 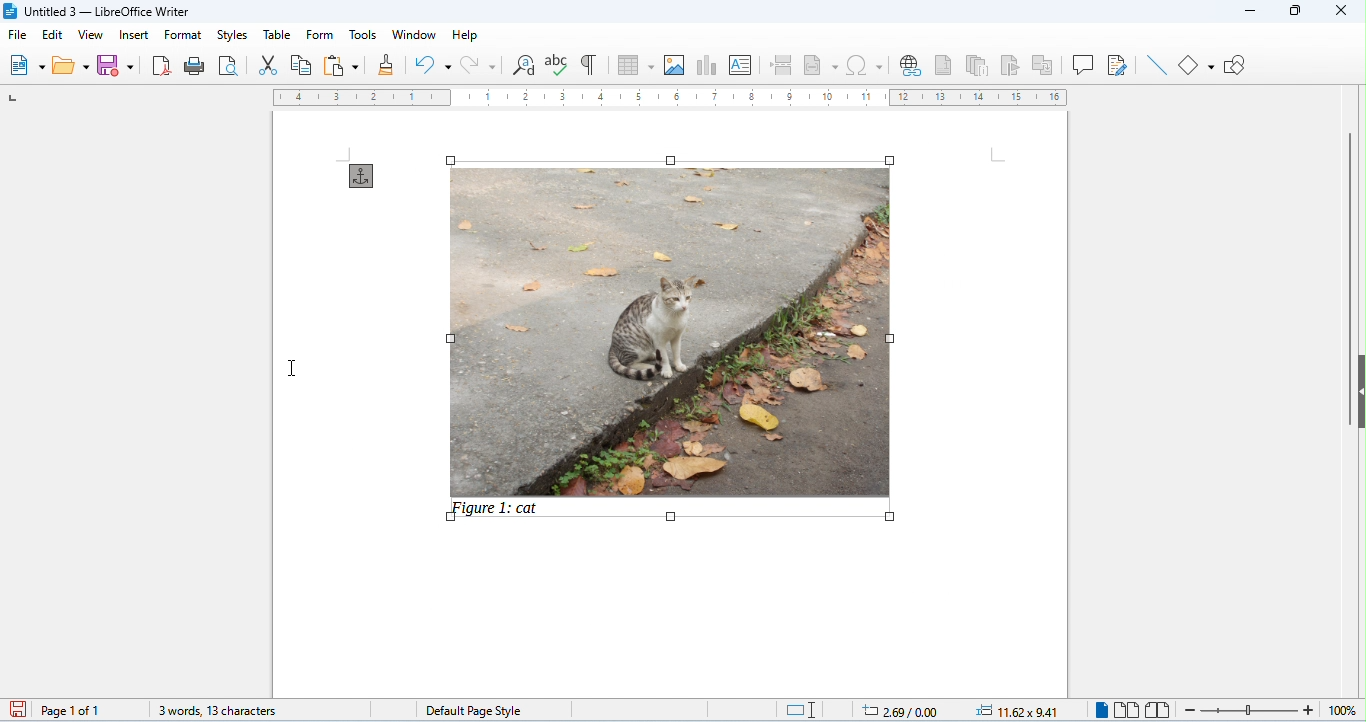 What do you see at coordinates (362, 176) in the screenshot?
I see `anchor` at bounding box center [362, 176].